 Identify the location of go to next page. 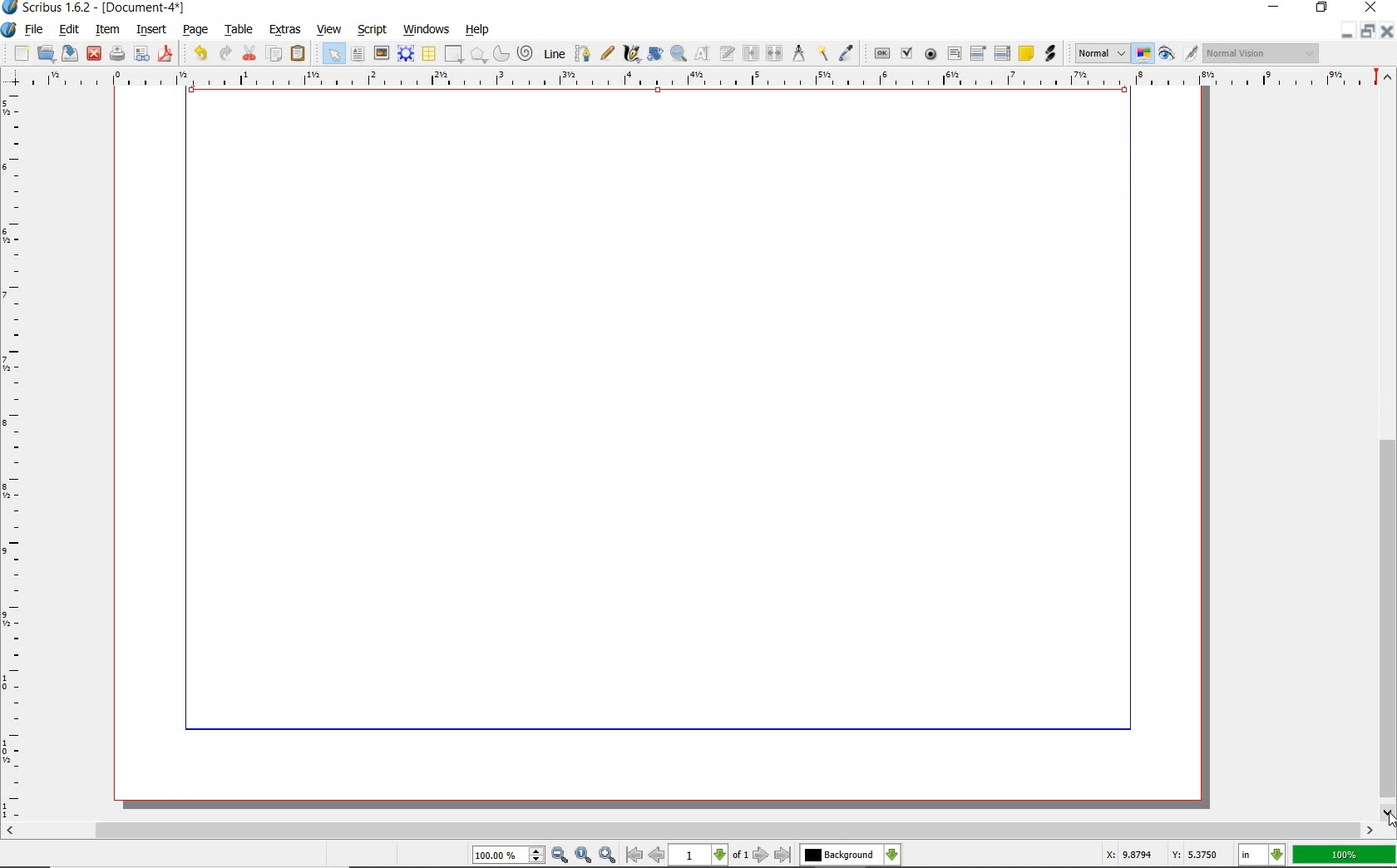
(762, 855).